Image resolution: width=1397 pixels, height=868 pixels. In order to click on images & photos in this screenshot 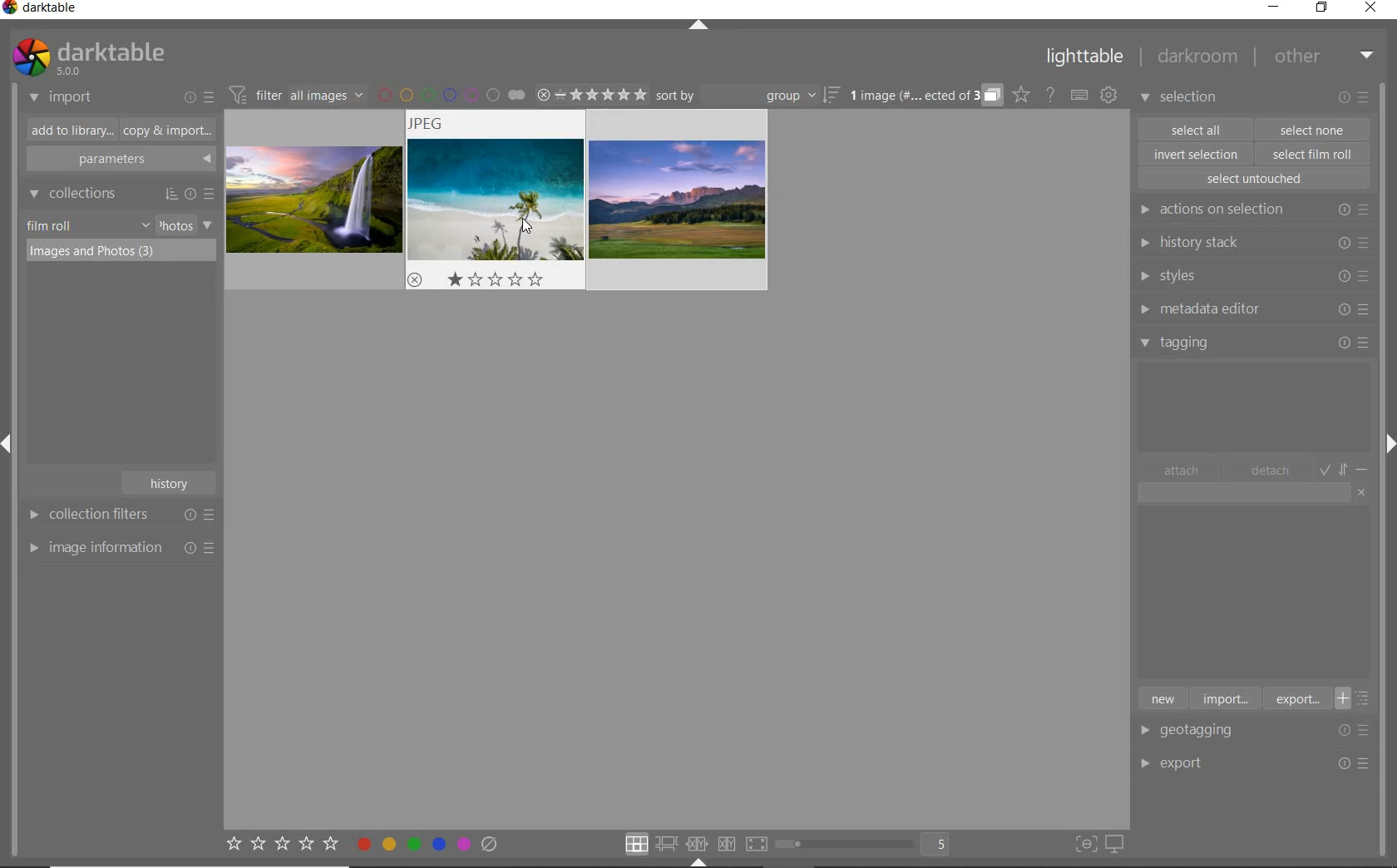, I will do `click(121, 254)`.